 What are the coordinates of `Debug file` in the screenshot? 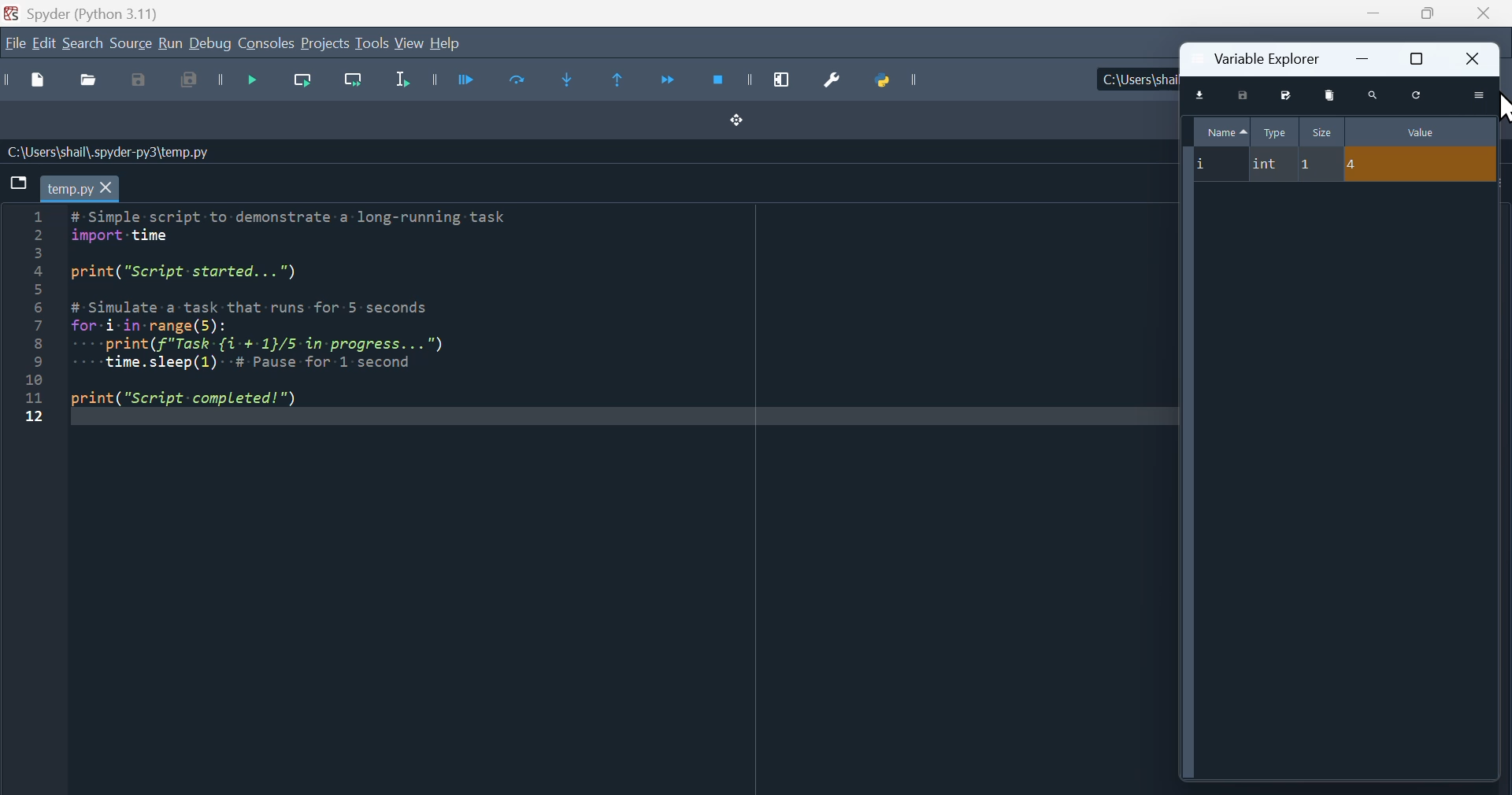 It's located at (241, 83).